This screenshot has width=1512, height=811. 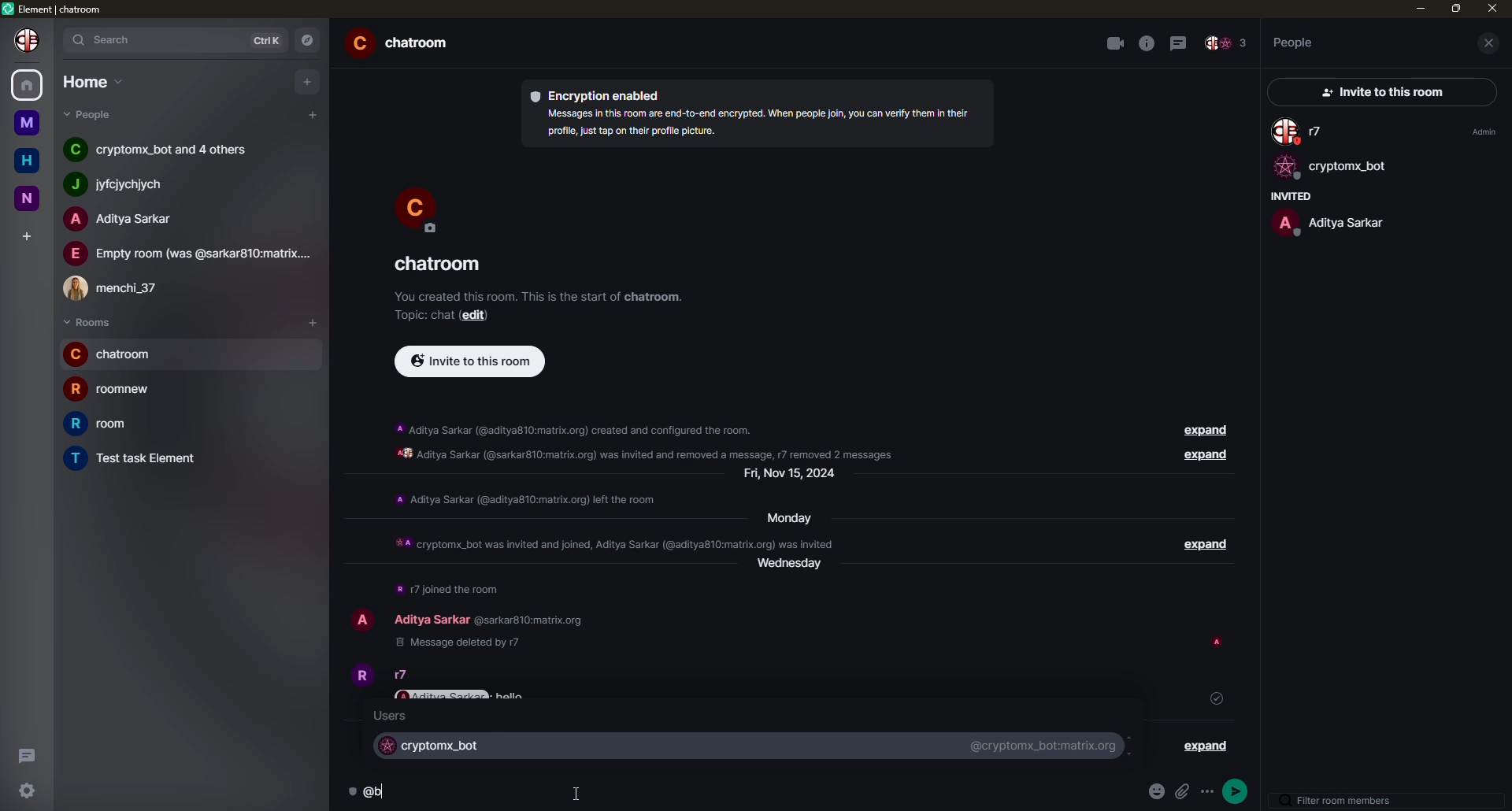 I want to click on threads, so click(x=24, y=754).